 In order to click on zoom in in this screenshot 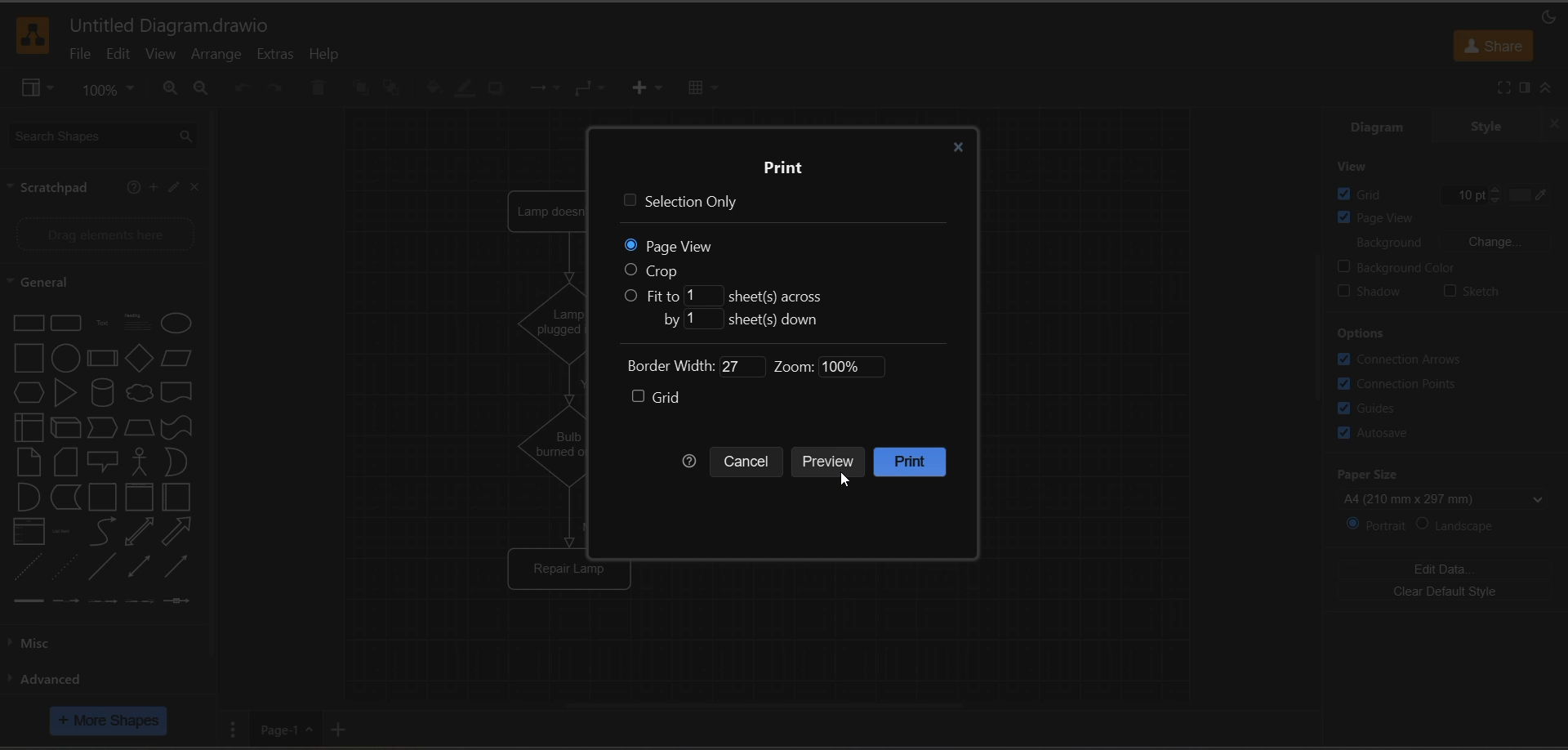, I will do `click(167, 88)`.